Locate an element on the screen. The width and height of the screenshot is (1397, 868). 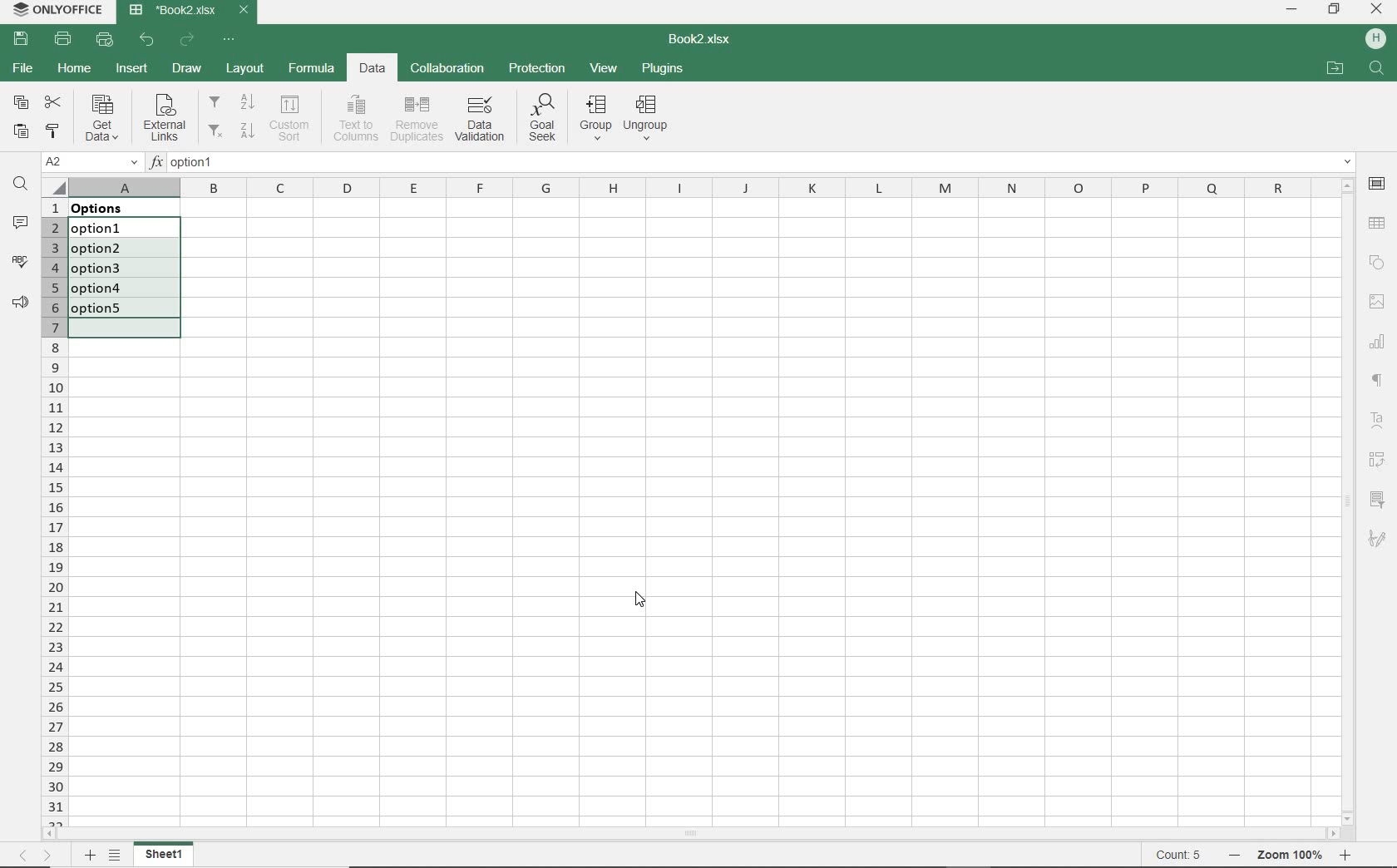
HP is located at coordinates (1377, 40).